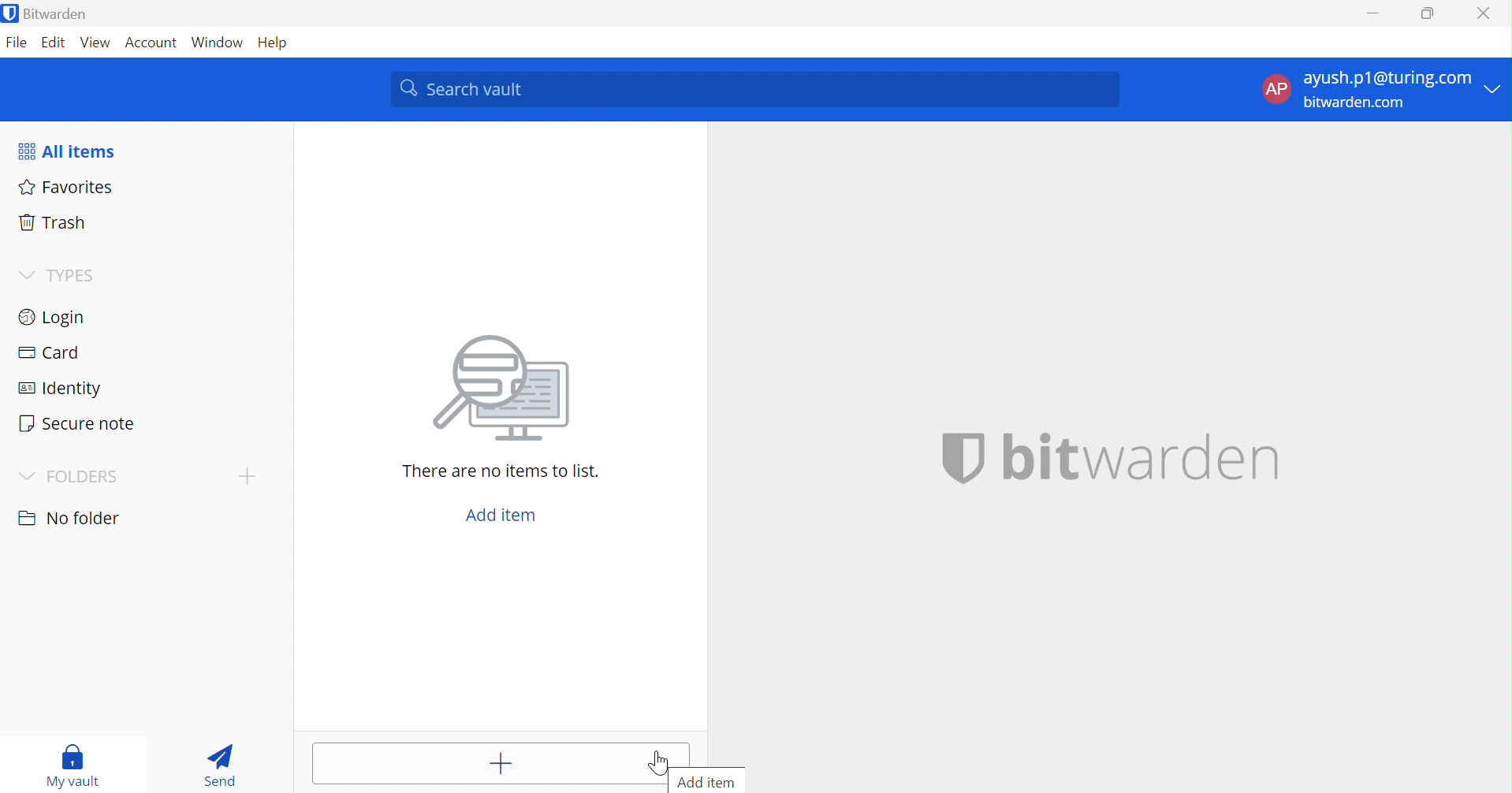 The image size is (1512, 793). Describe the element at coordinates (754, 90) in the screenshot. I see `Search vault` at that location.